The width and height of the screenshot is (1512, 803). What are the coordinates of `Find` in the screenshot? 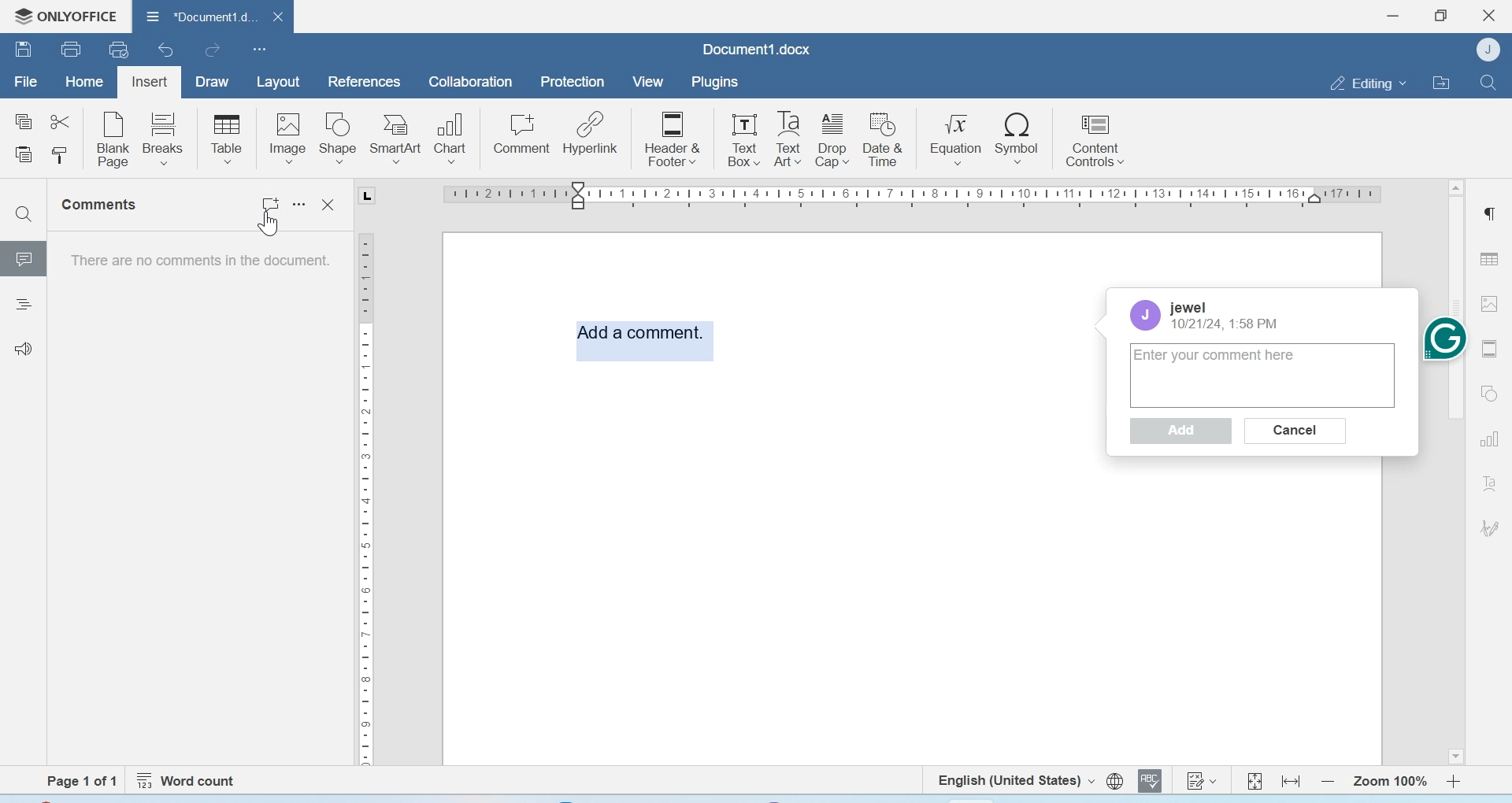 It's located at (1487, 82).